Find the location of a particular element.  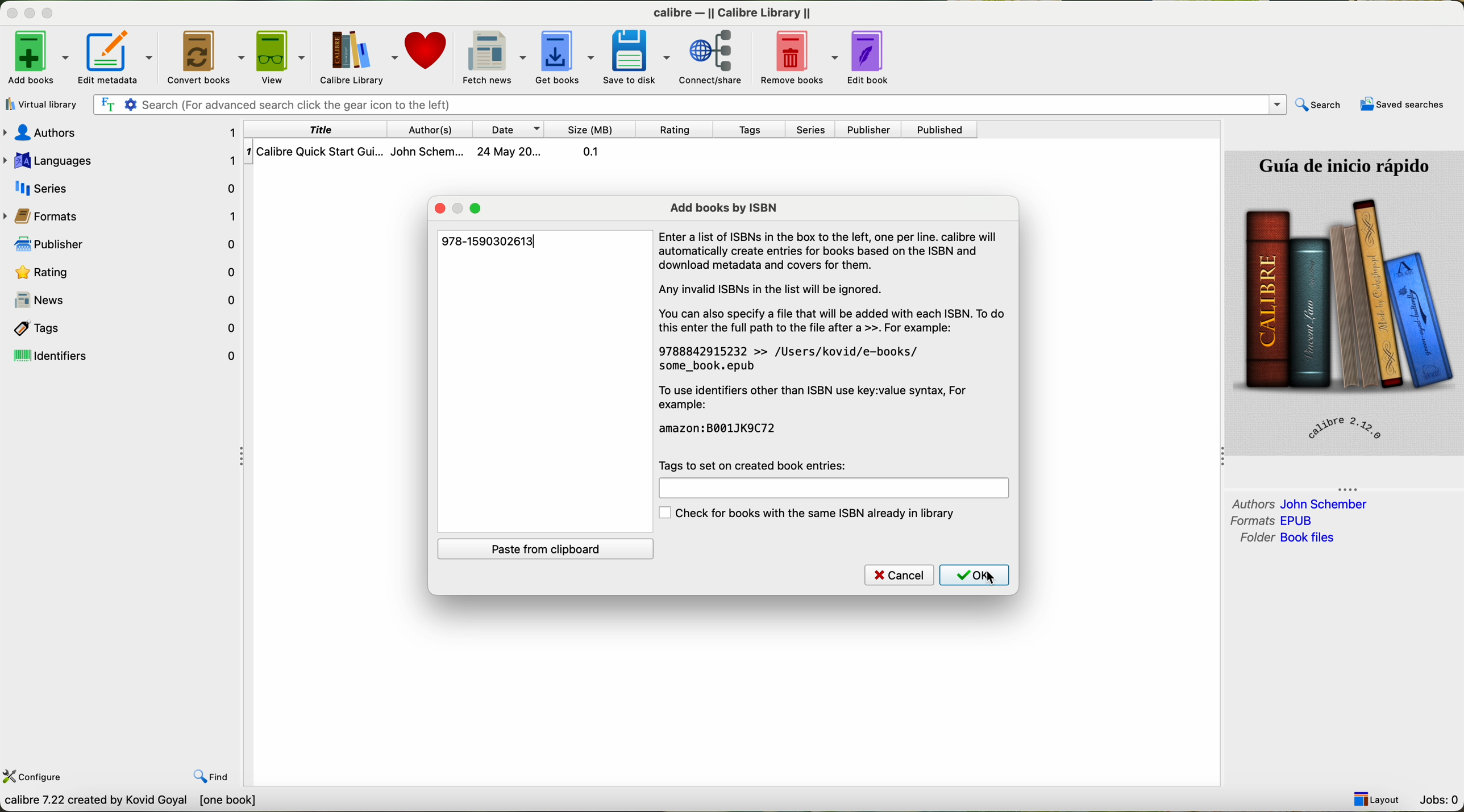

cancel button is located at coordinates (895, 575).